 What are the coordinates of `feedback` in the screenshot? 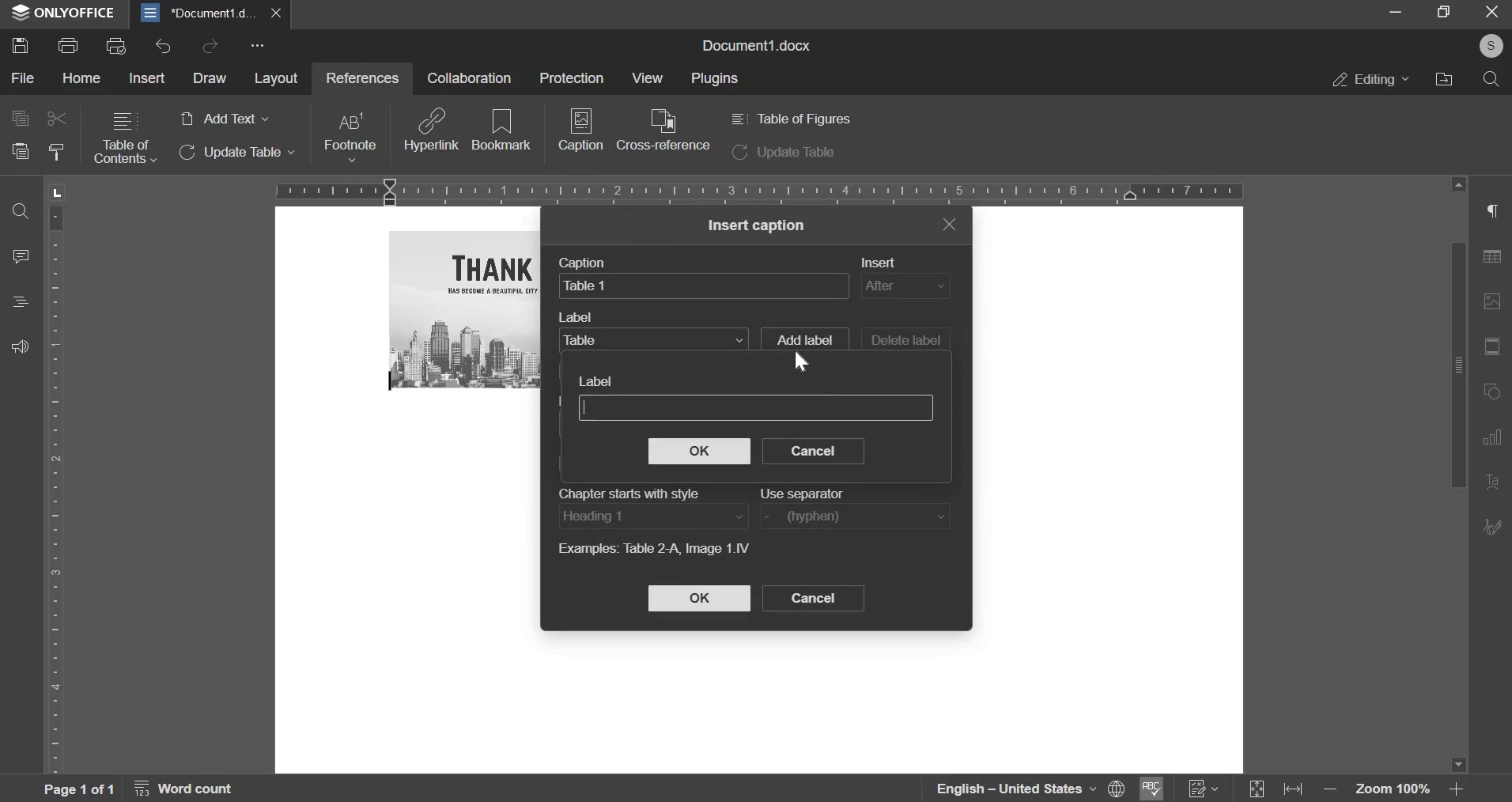 It's located at (20, 346).